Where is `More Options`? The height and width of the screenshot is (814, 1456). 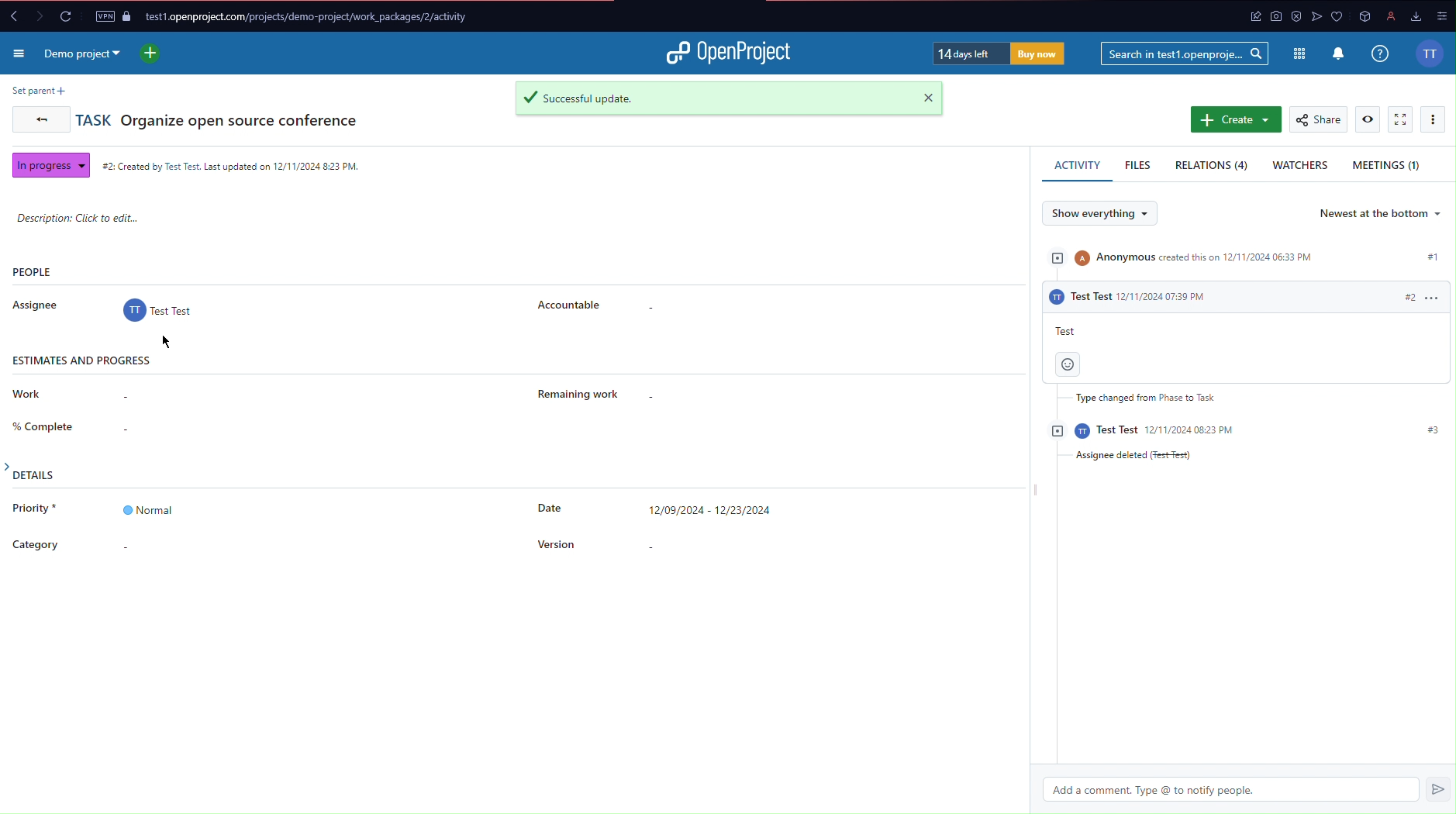
More Options is located at coordinates (1435, 120).